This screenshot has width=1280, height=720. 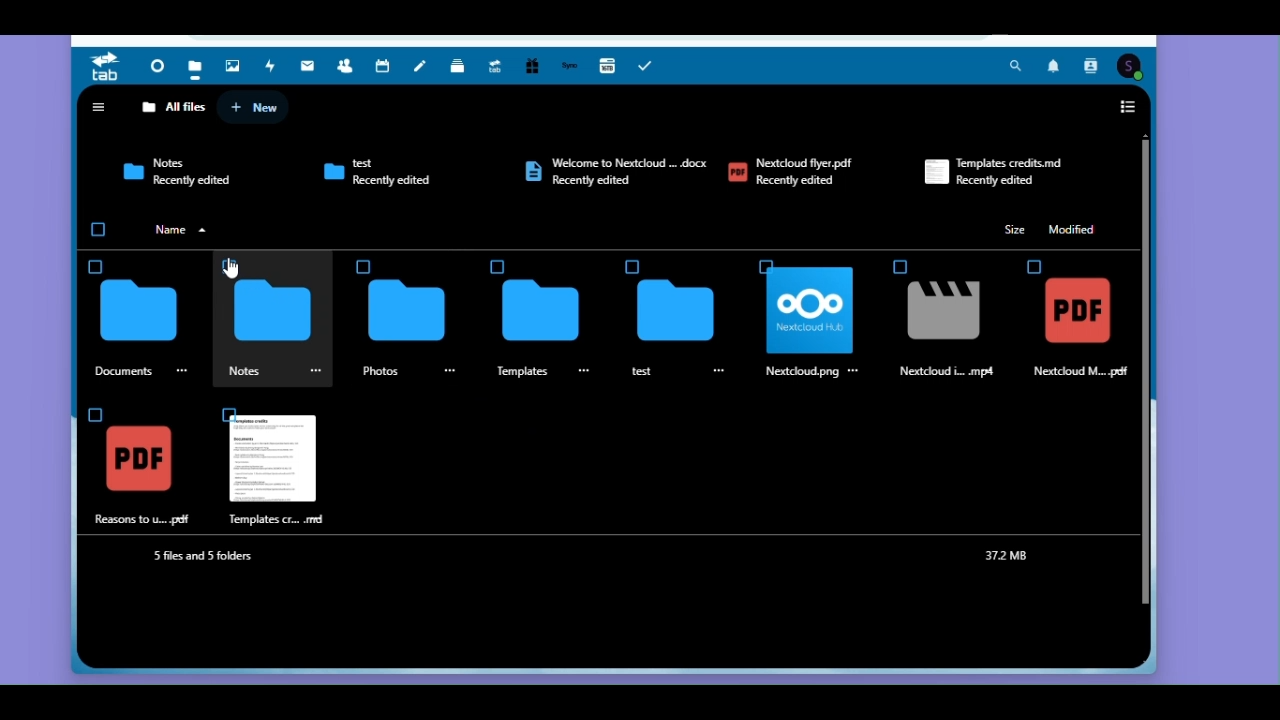 I want to click on Icon, so click(x=135, y=175).